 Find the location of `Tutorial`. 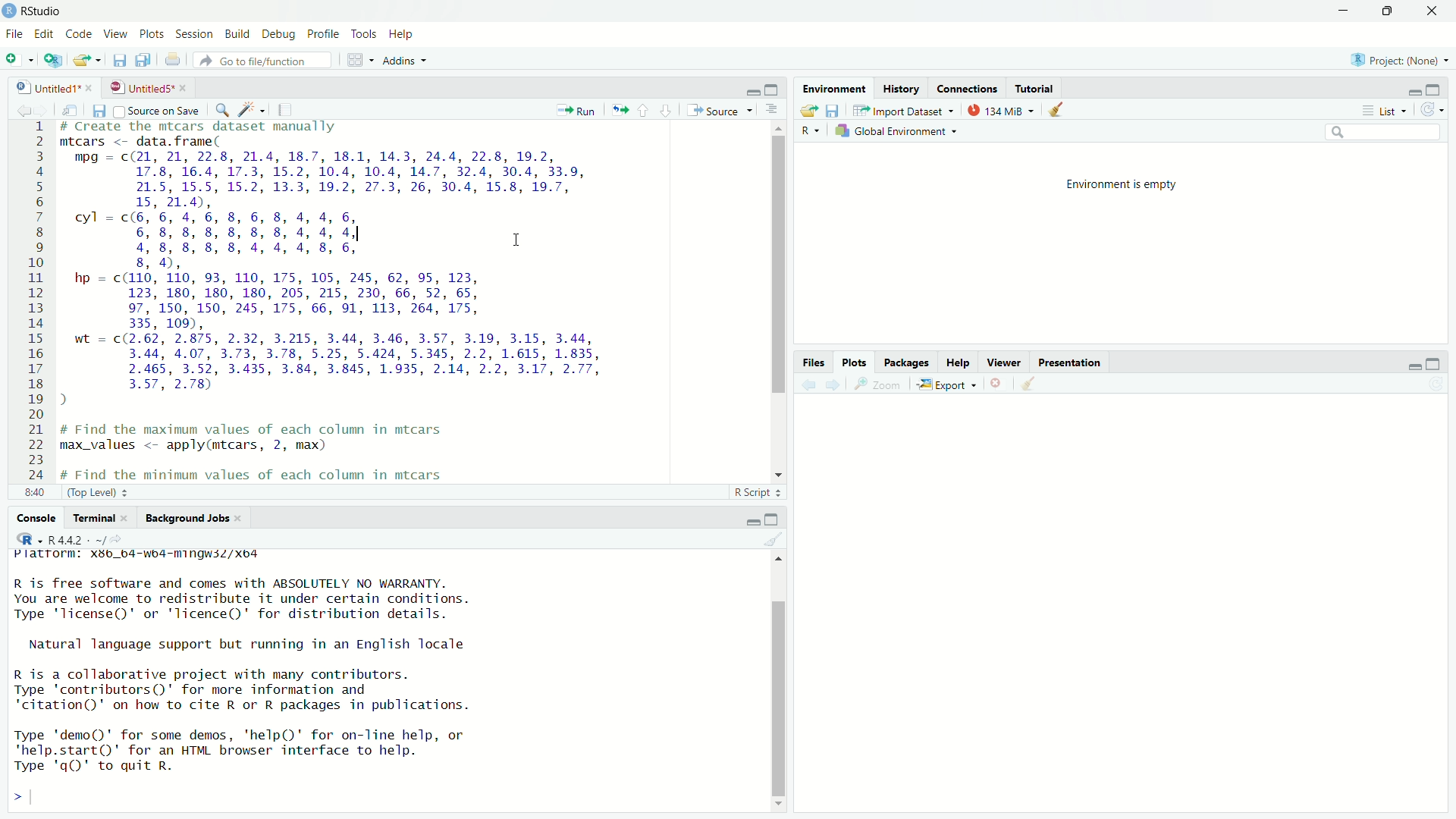

Tutorial is located at coordinates (1037, 88).